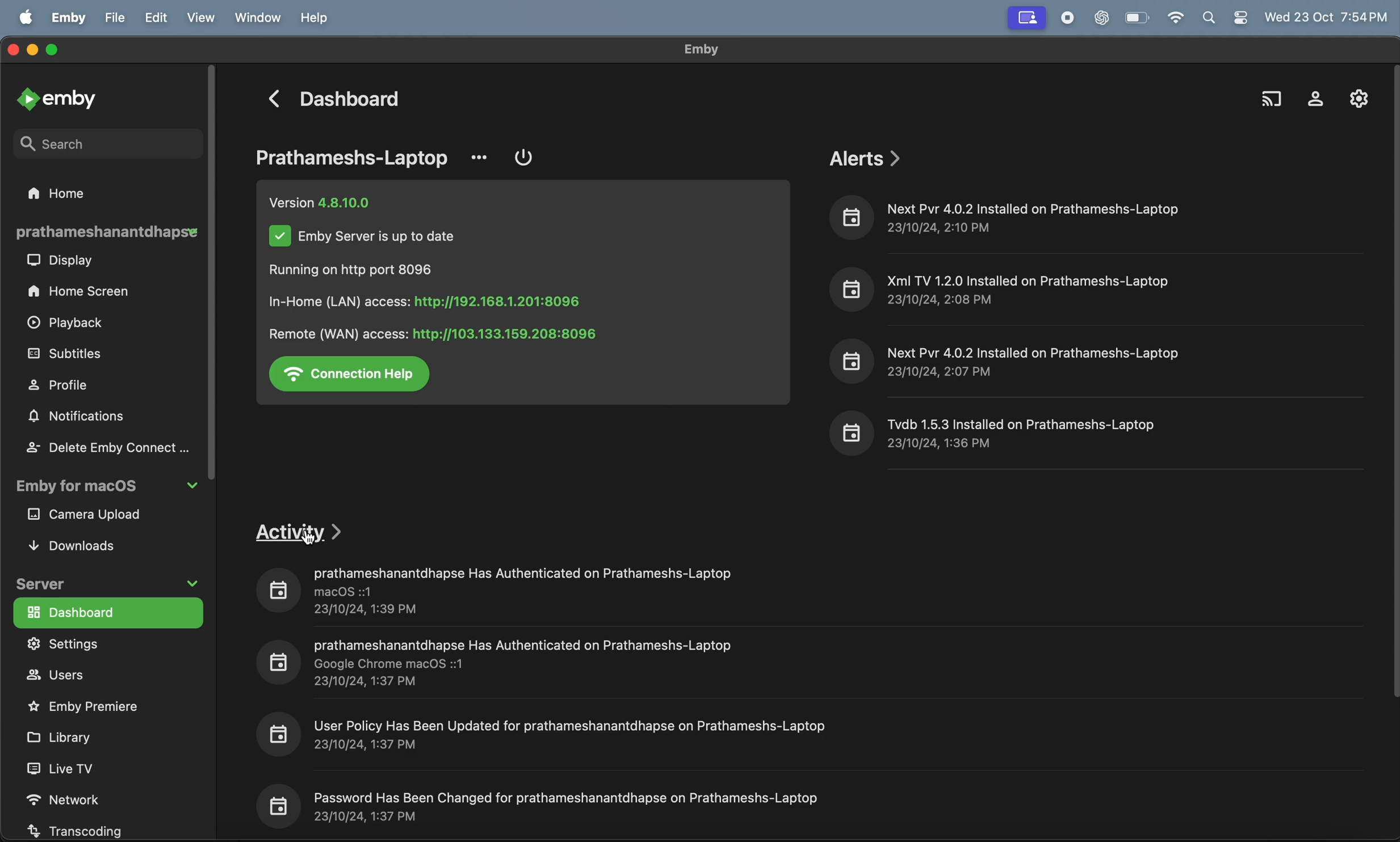  I want to click on prathameshanantdhapse, so click(107, 231).